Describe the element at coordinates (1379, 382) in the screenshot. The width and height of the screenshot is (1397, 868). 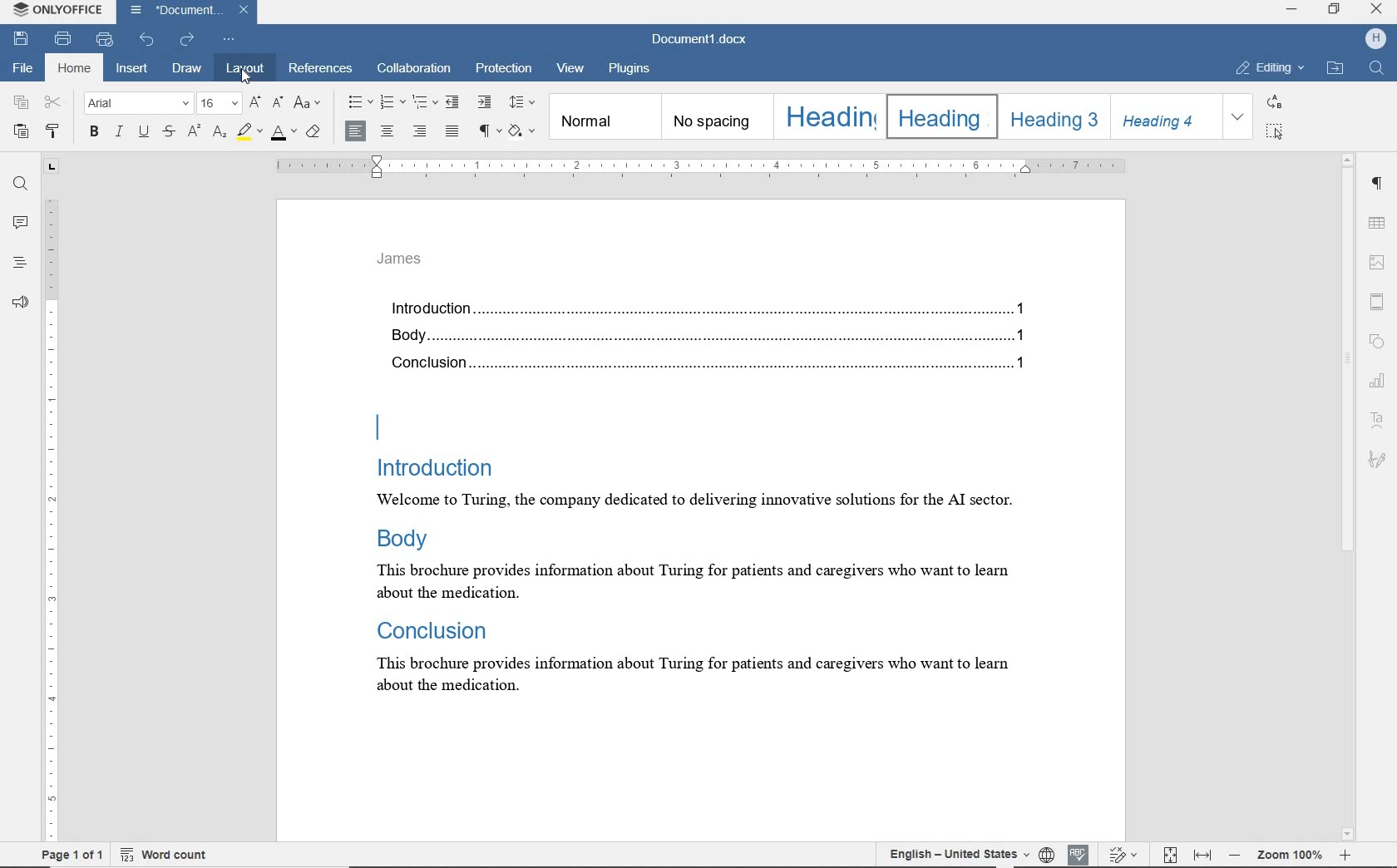
I see `chart` at that location.